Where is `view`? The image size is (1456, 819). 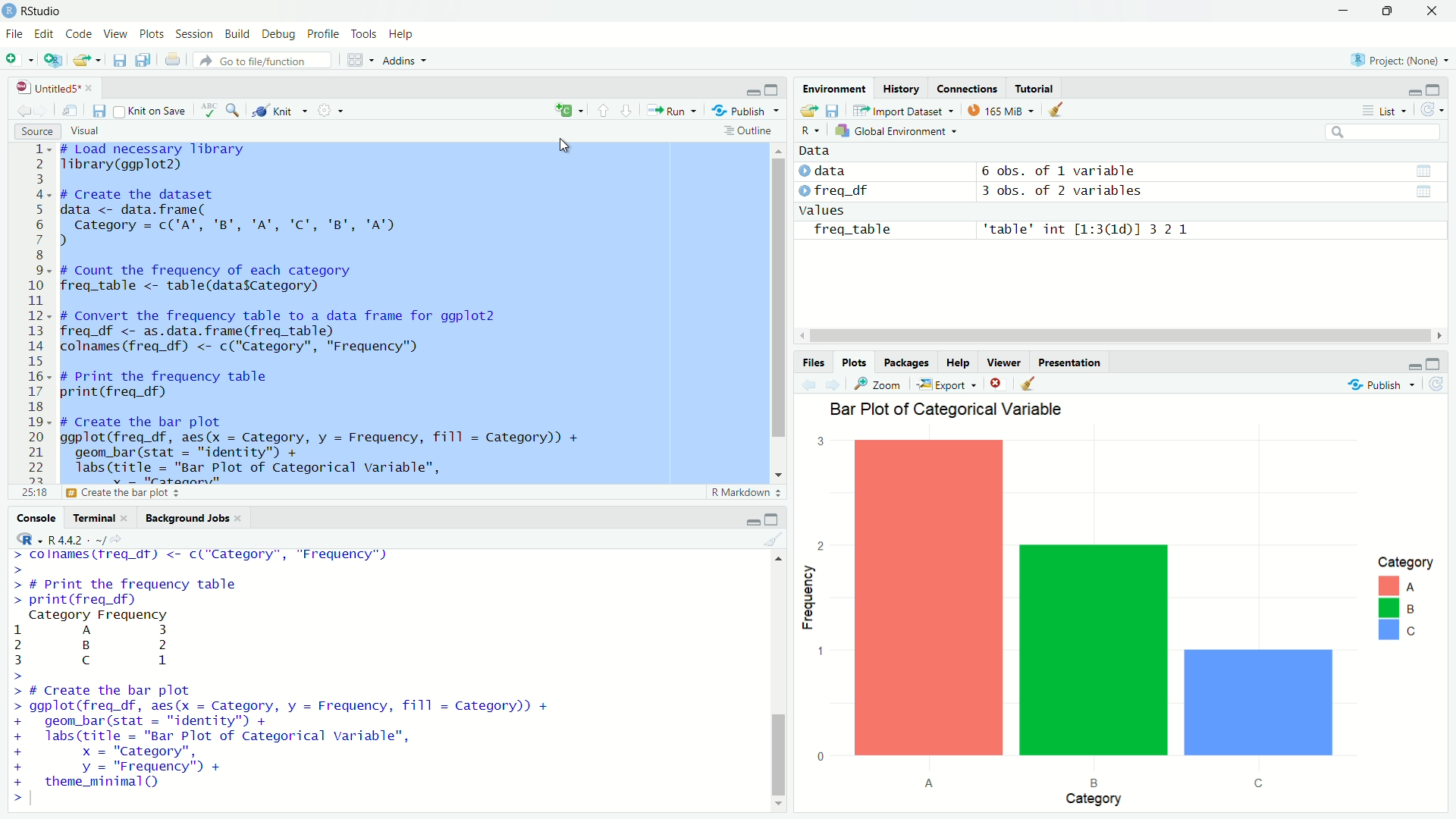 view is located at coordinates (117, 33).